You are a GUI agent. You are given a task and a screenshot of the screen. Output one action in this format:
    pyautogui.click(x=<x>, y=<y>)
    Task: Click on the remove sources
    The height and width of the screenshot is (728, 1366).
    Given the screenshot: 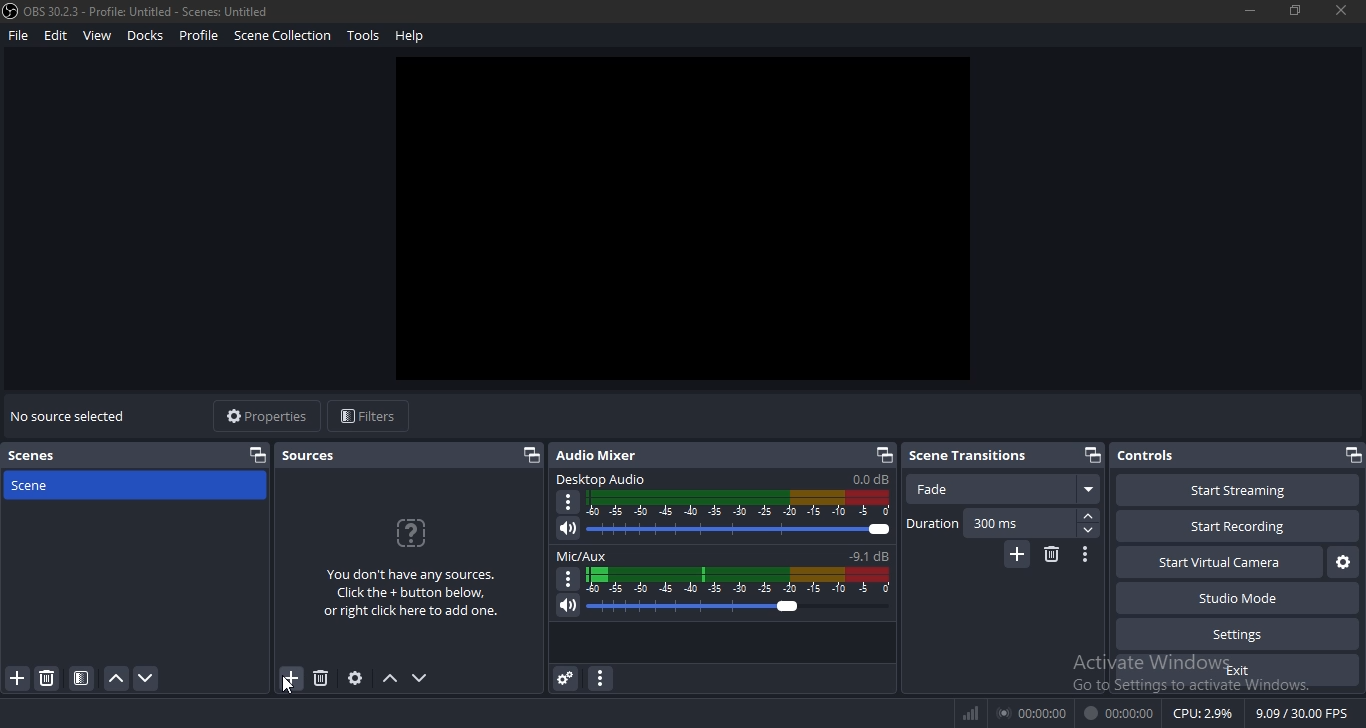 What is the action you would take?
    pyautogui.click(x=323, y=678)
    